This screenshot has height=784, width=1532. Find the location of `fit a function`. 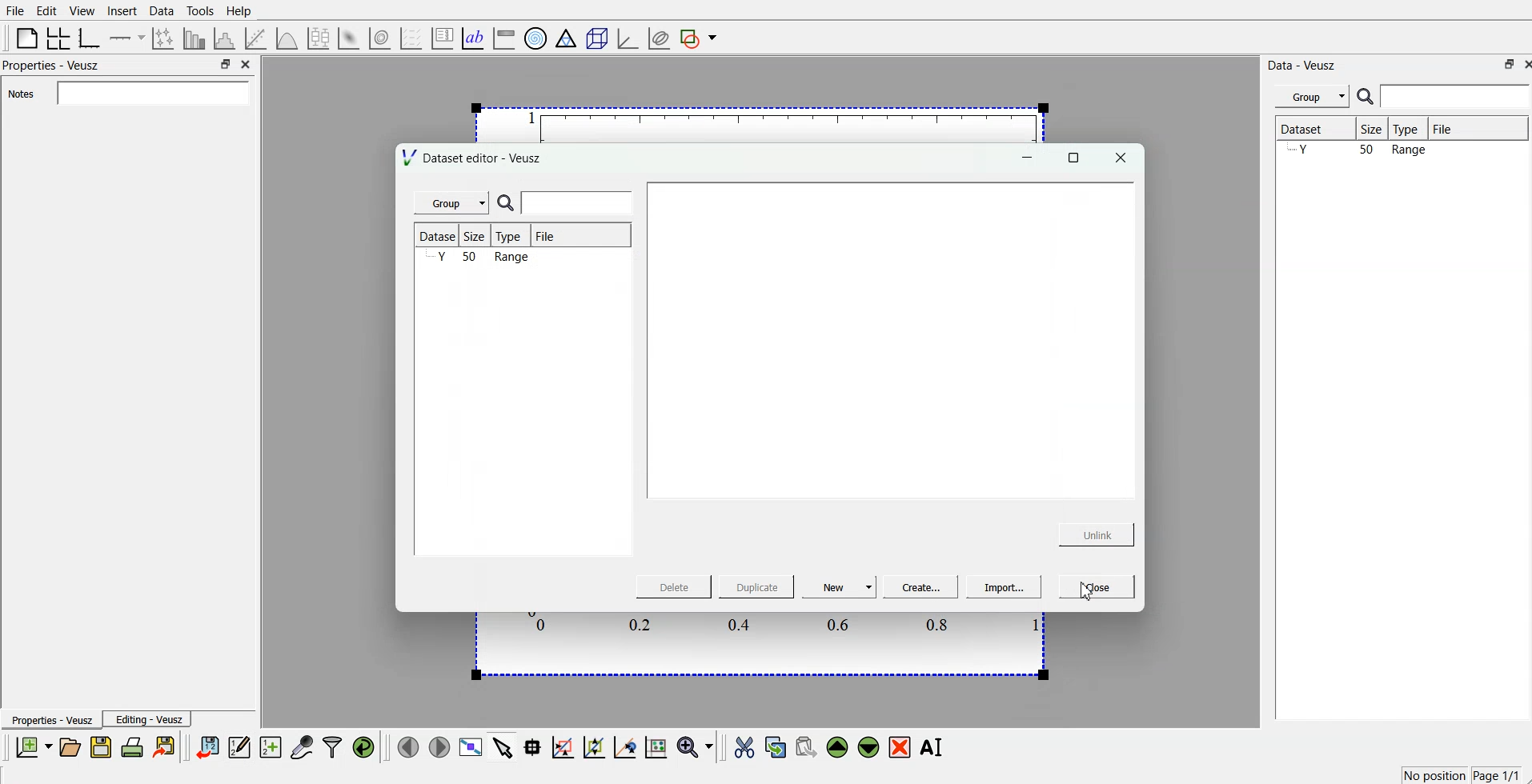

fit a function is located at coordinates (258, 37).